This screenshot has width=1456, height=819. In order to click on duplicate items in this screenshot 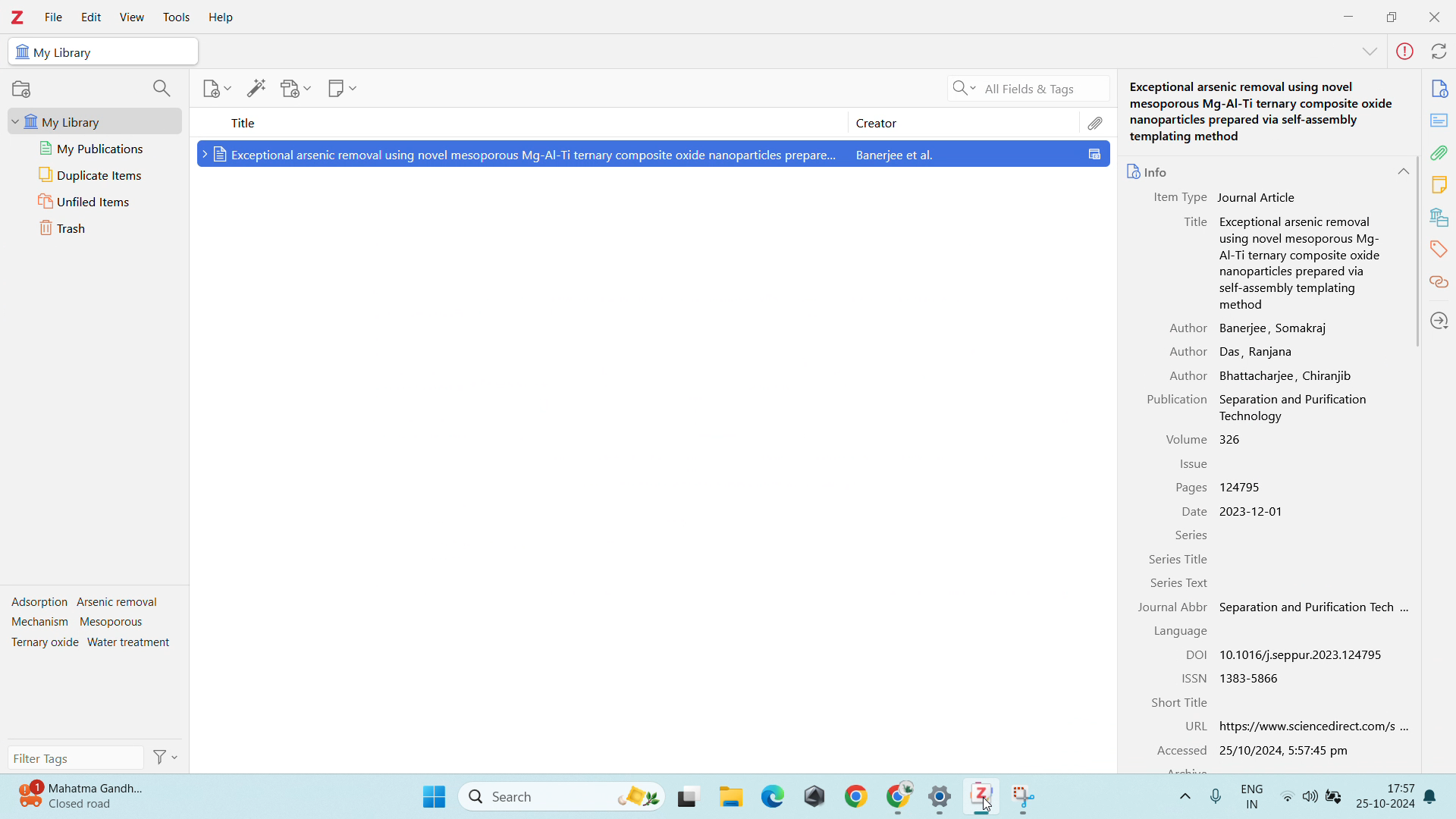, I will do `click(94, 174)`.